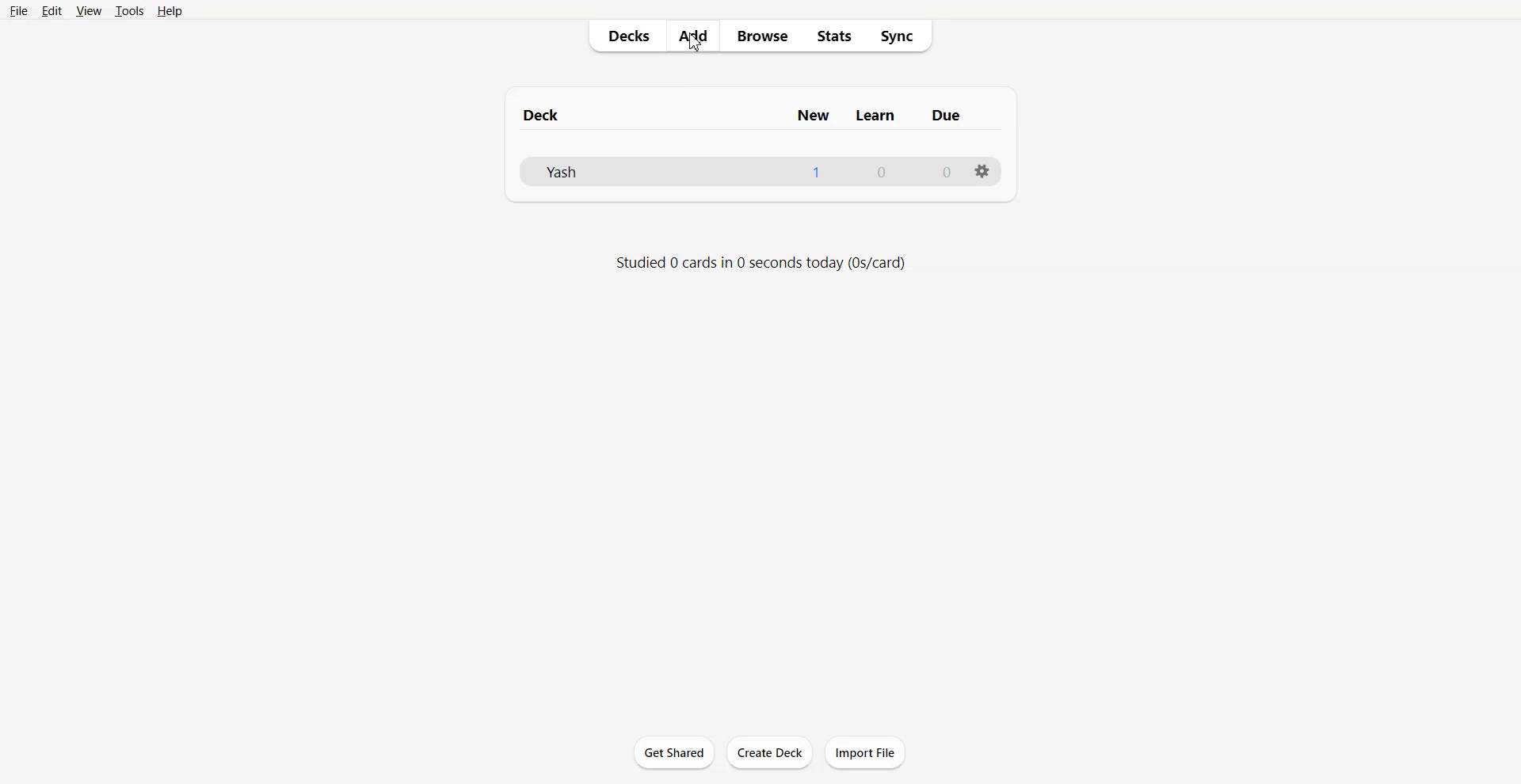  I want to click on options, so click(982, 171).